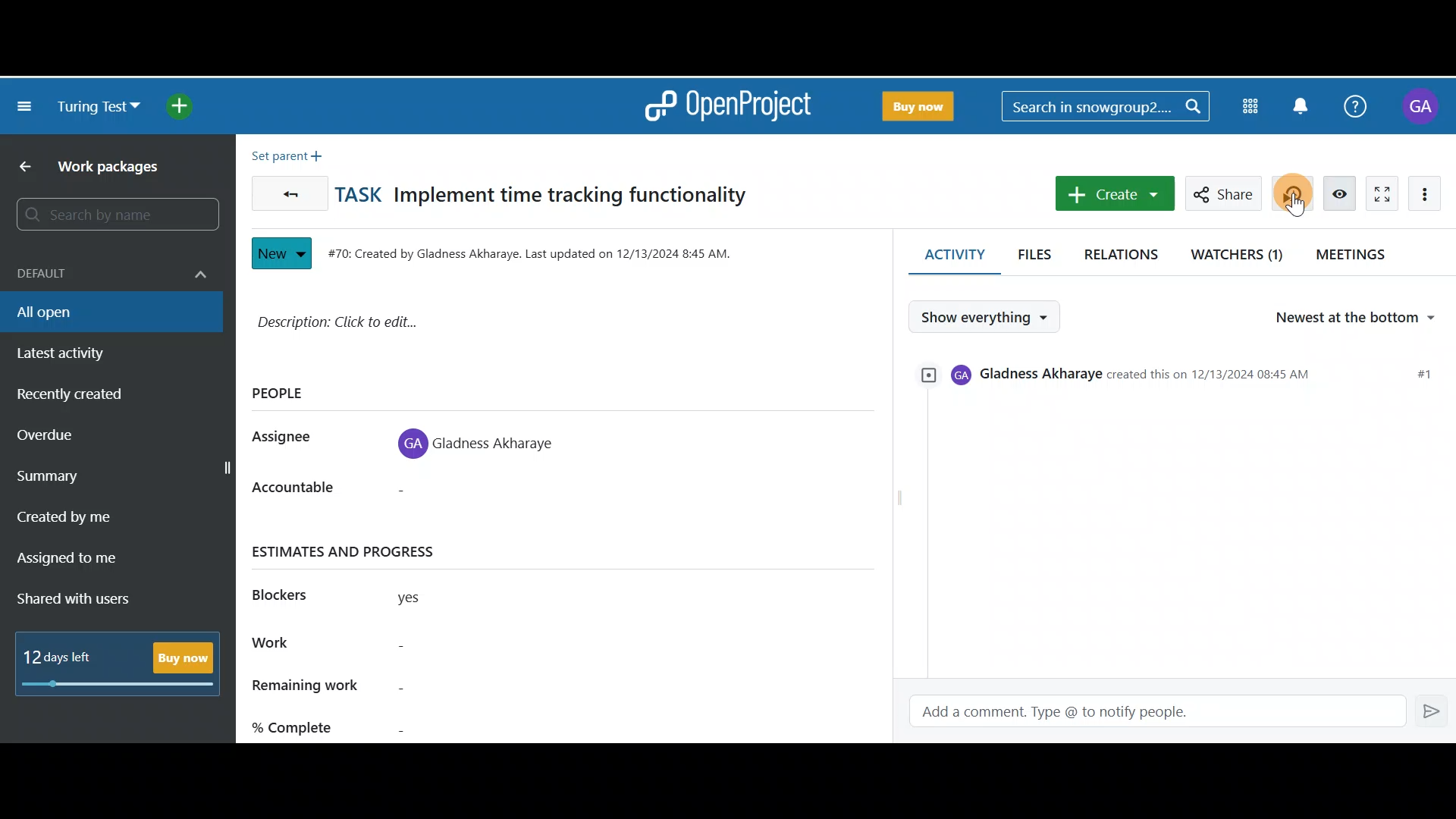 Image resolution: width=1456 pixels, height=819 pixels. Describe the element at coordinates (88, 560) in the screenshot. I see `Assigned to me` at that location.